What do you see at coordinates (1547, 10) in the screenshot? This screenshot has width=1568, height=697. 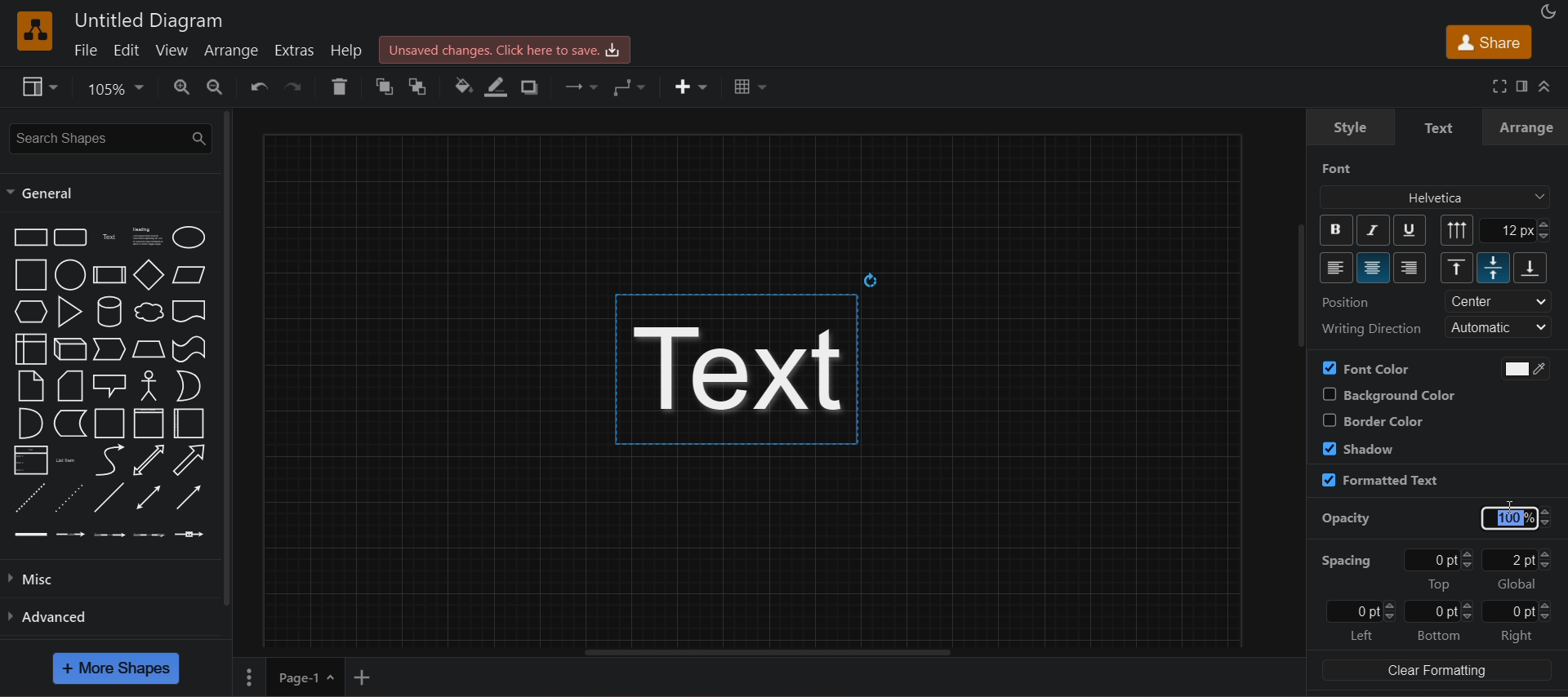 I see `appearance` at bounding box center [1547, 10].